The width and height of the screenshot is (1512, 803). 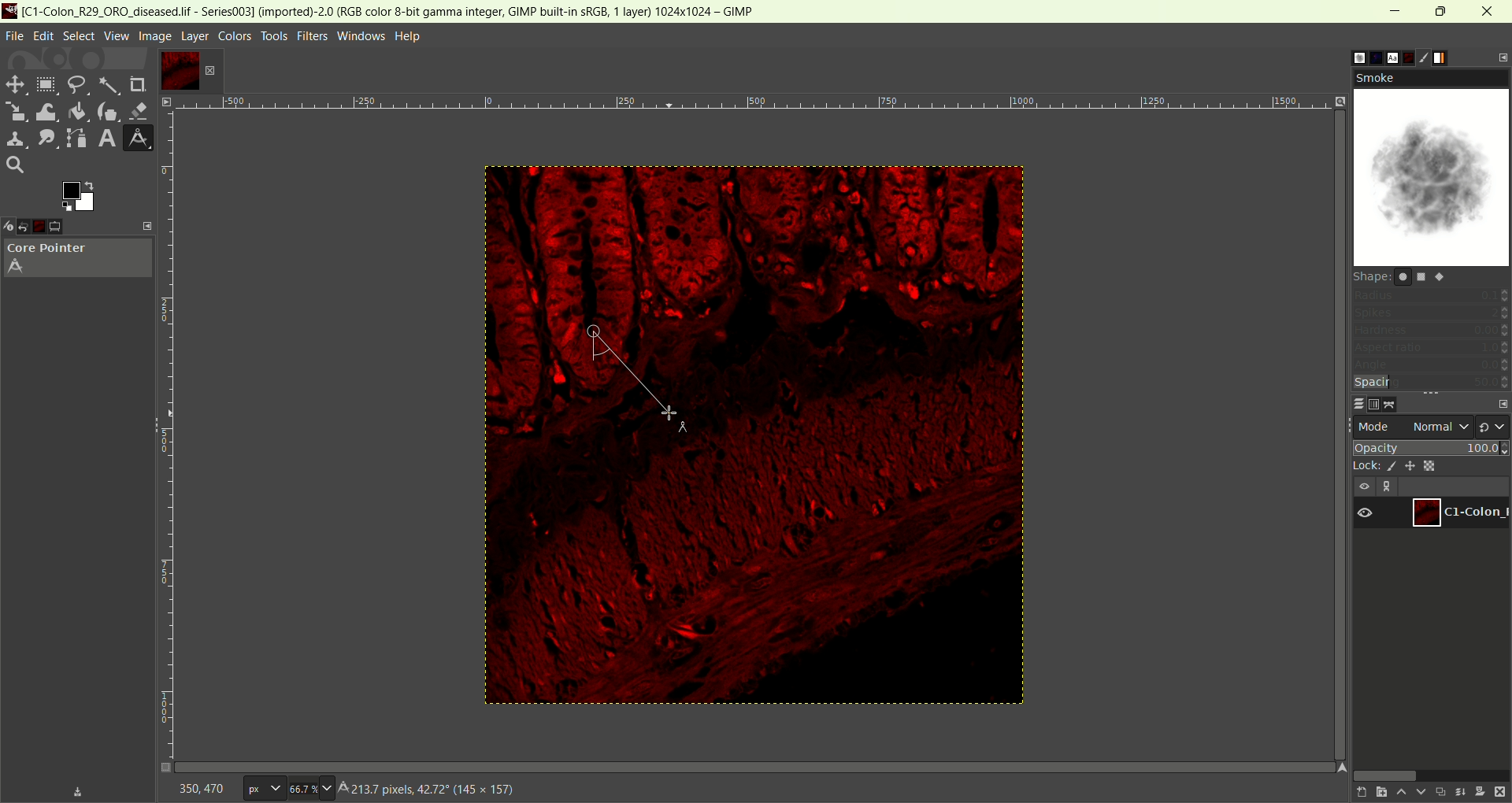 What do you see at coordinates (1395, 12) in the screenshot?
I see `minimum` at bounding box center [1395, 12].